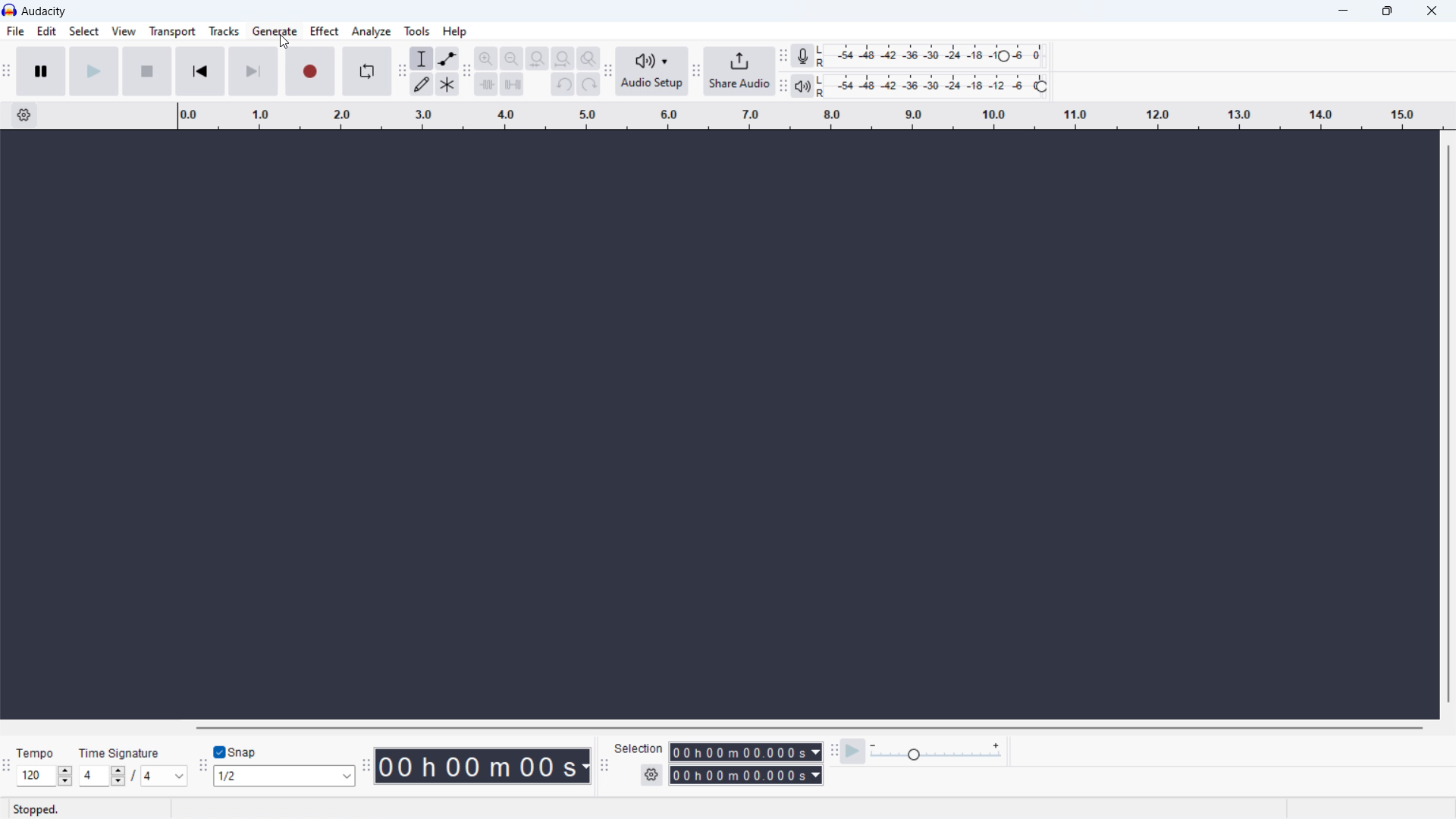 Image resolution: width=1456 pixels, height=819 pixels. What do you see at coordinates (745, 752) in the screenshot?
I see `start time` at bounding box center [745, 752].